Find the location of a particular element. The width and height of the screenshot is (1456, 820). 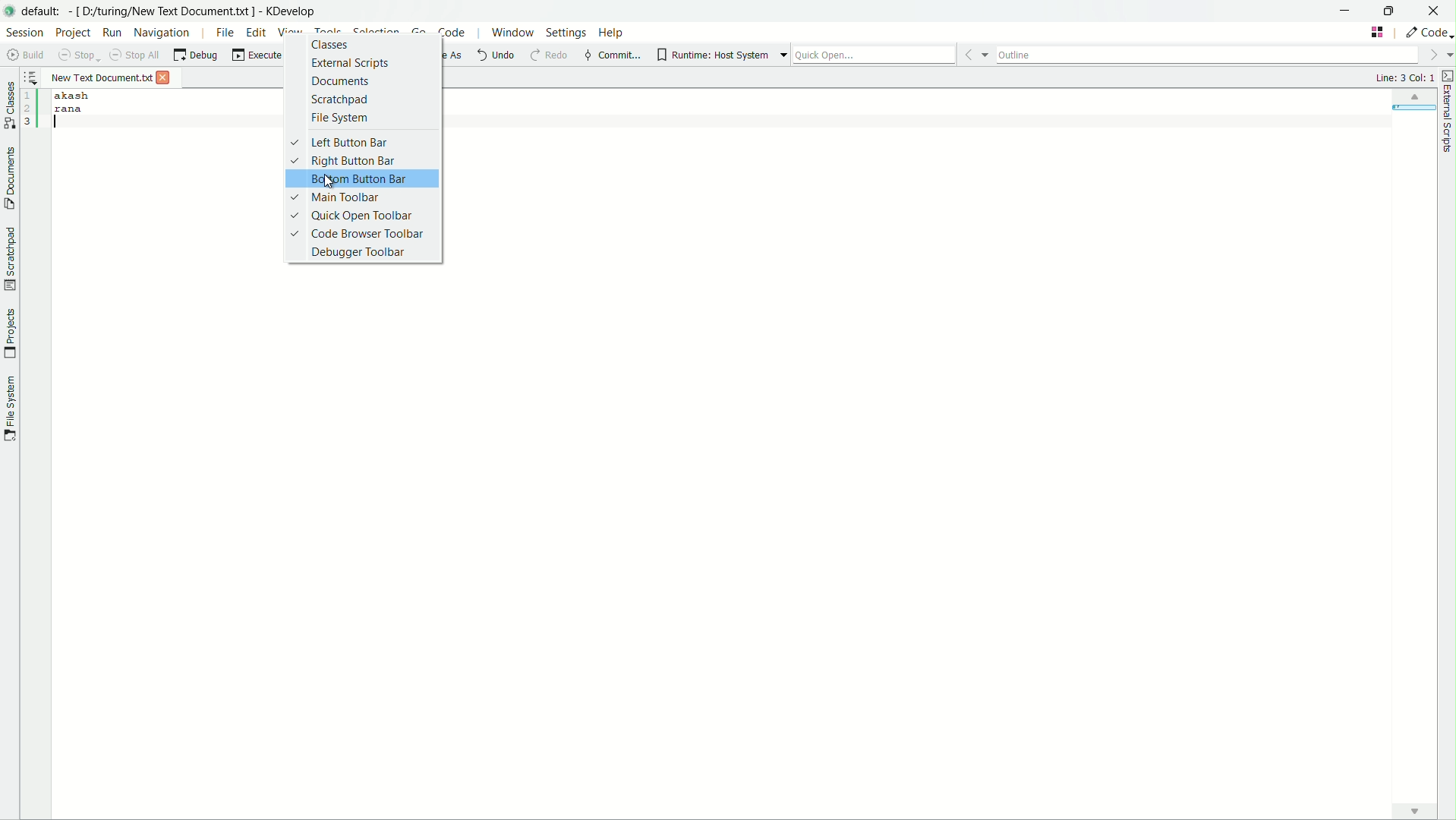

toggle classes is located at coordinates (9, 101).